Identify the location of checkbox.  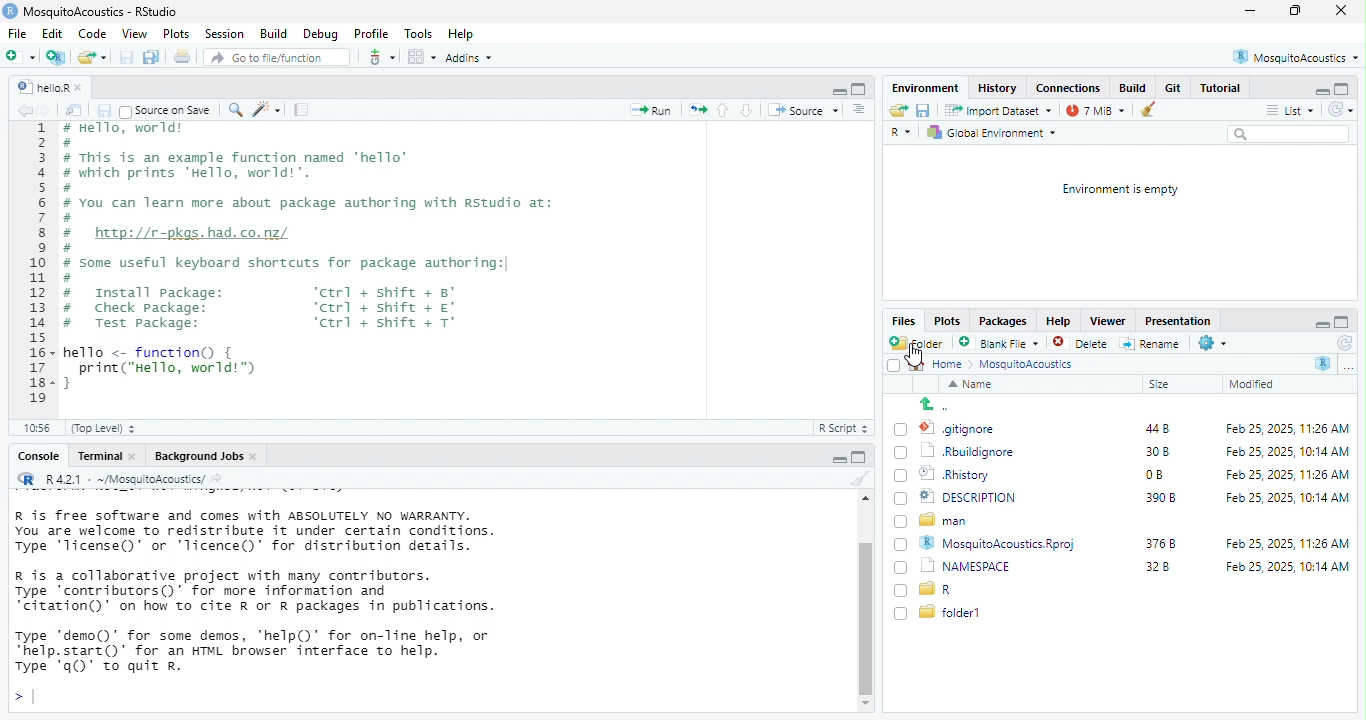
(902, 428).